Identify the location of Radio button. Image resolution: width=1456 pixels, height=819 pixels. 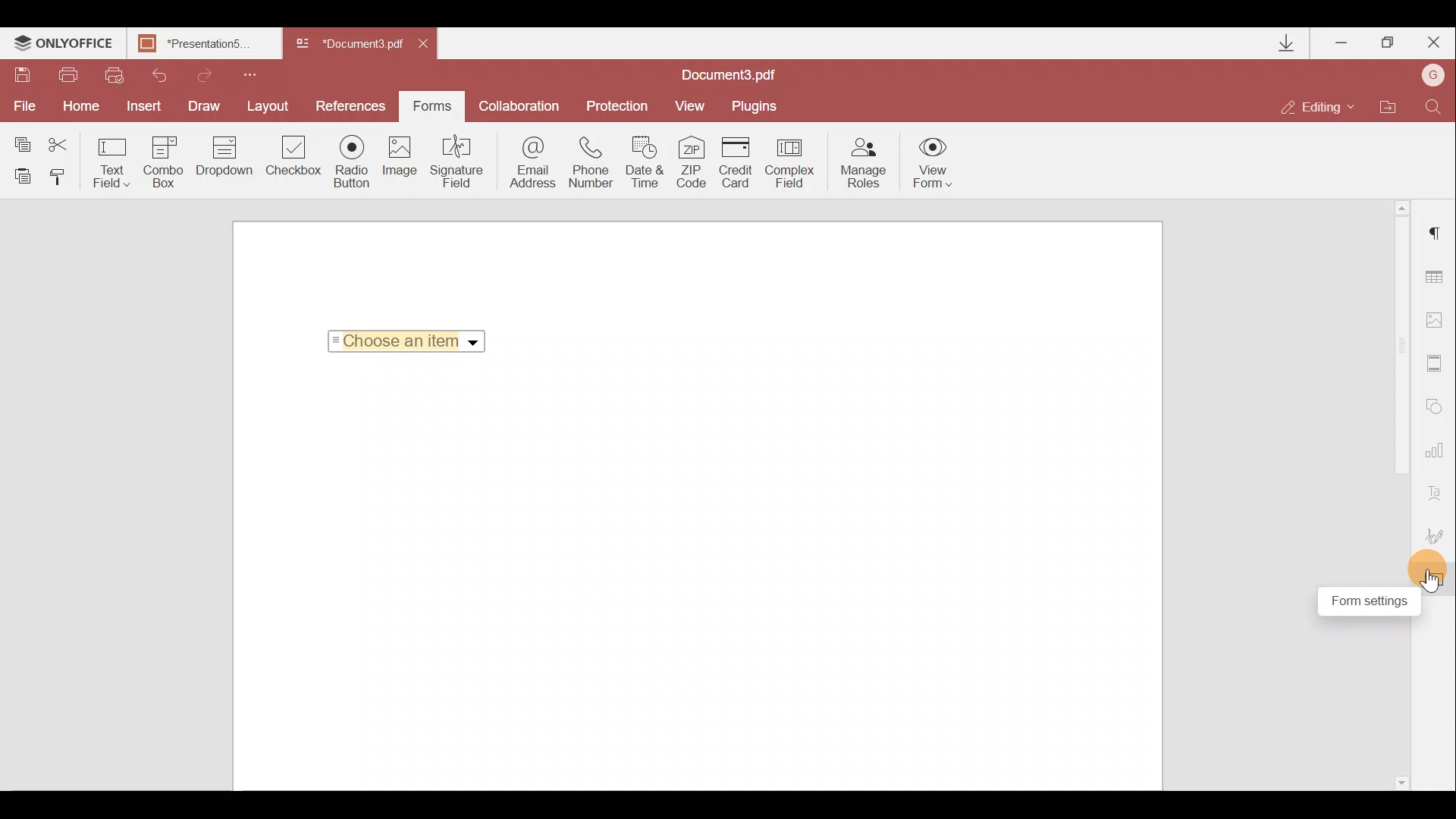
(352, 161).